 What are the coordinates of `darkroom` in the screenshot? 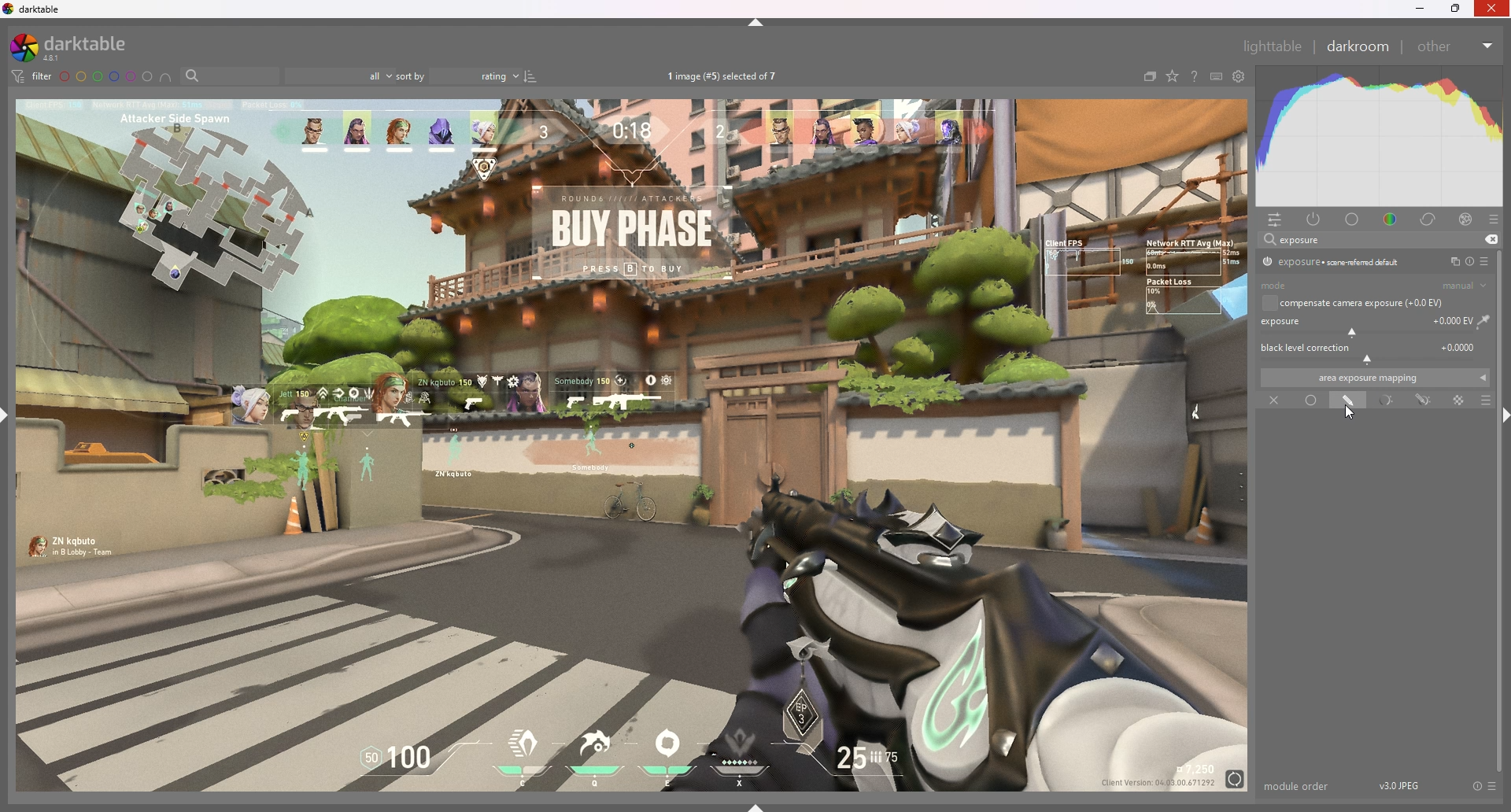 It's located at (1357, 46).